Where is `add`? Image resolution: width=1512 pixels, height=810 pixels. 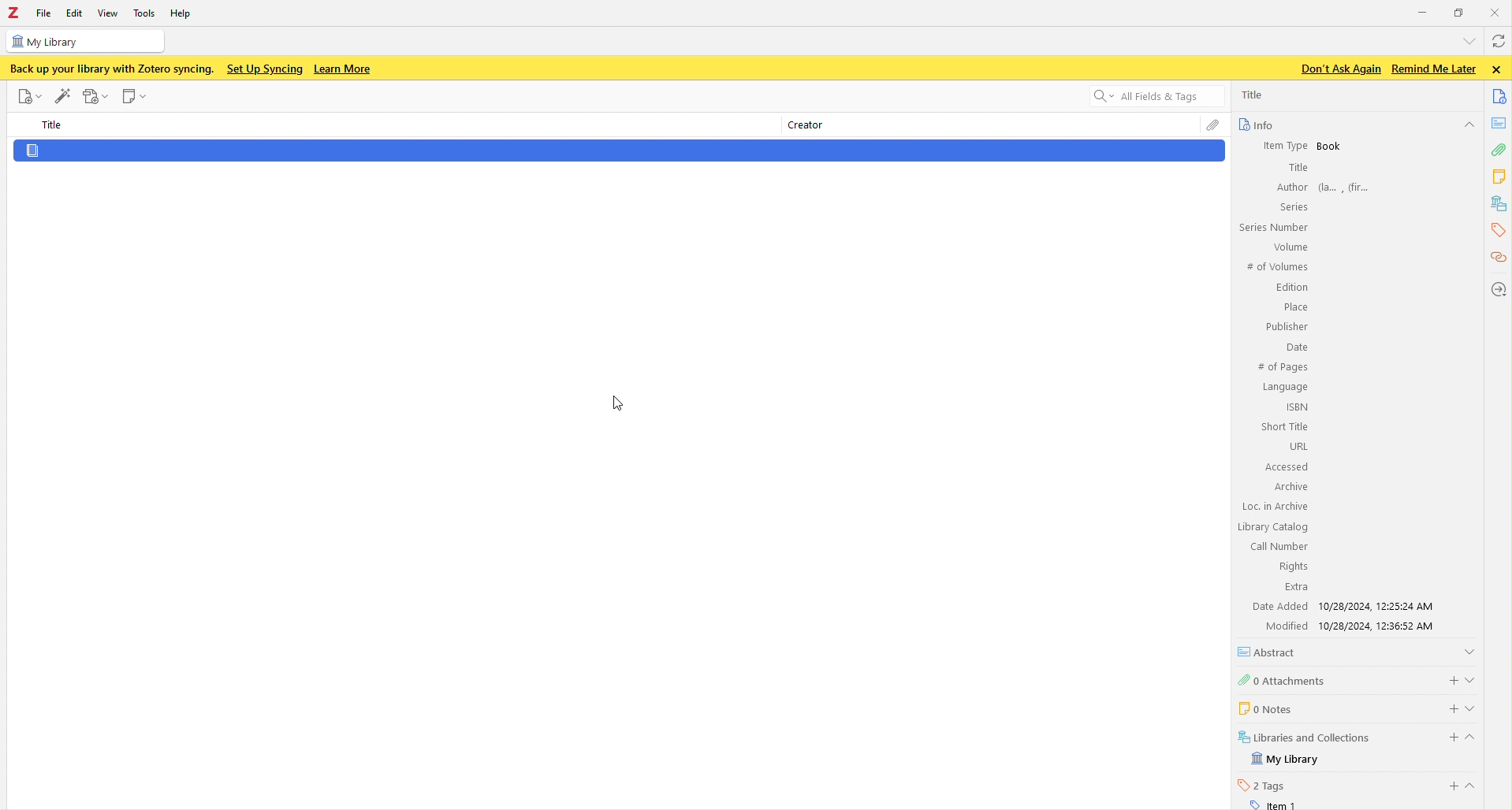 add is located at coordinates (1451, 786).